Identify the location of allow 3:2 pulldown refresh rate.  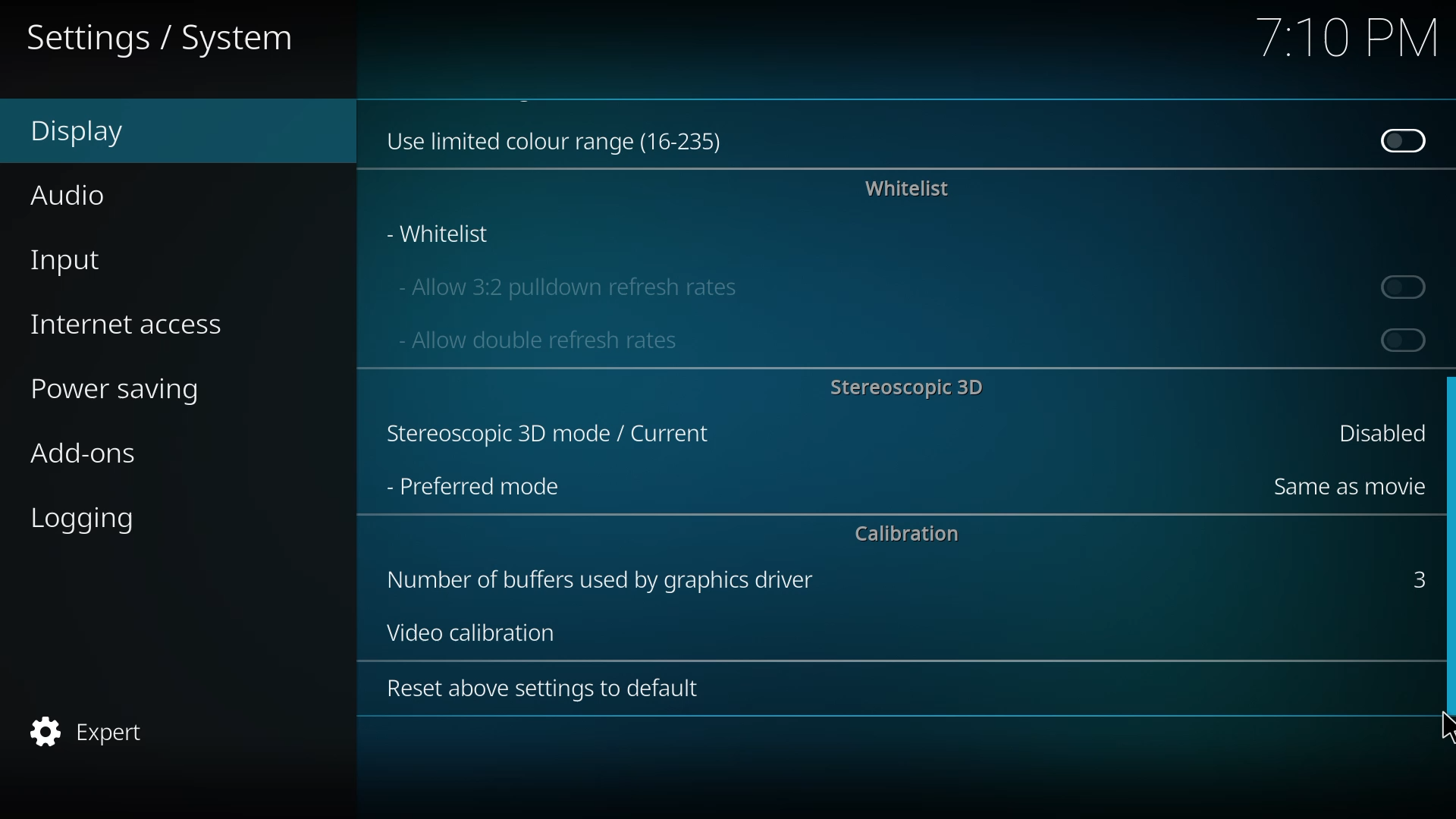
(566, 284).